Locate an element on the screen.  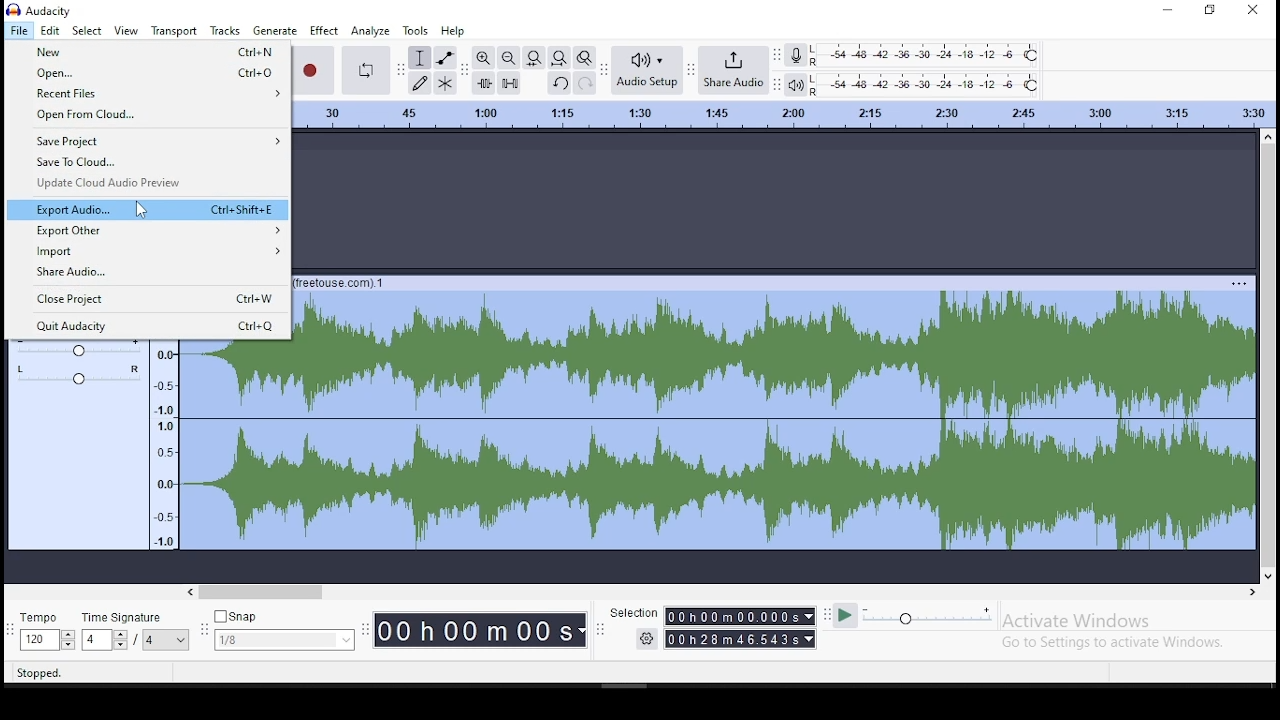
audio track is located at coordinates (239, 446).